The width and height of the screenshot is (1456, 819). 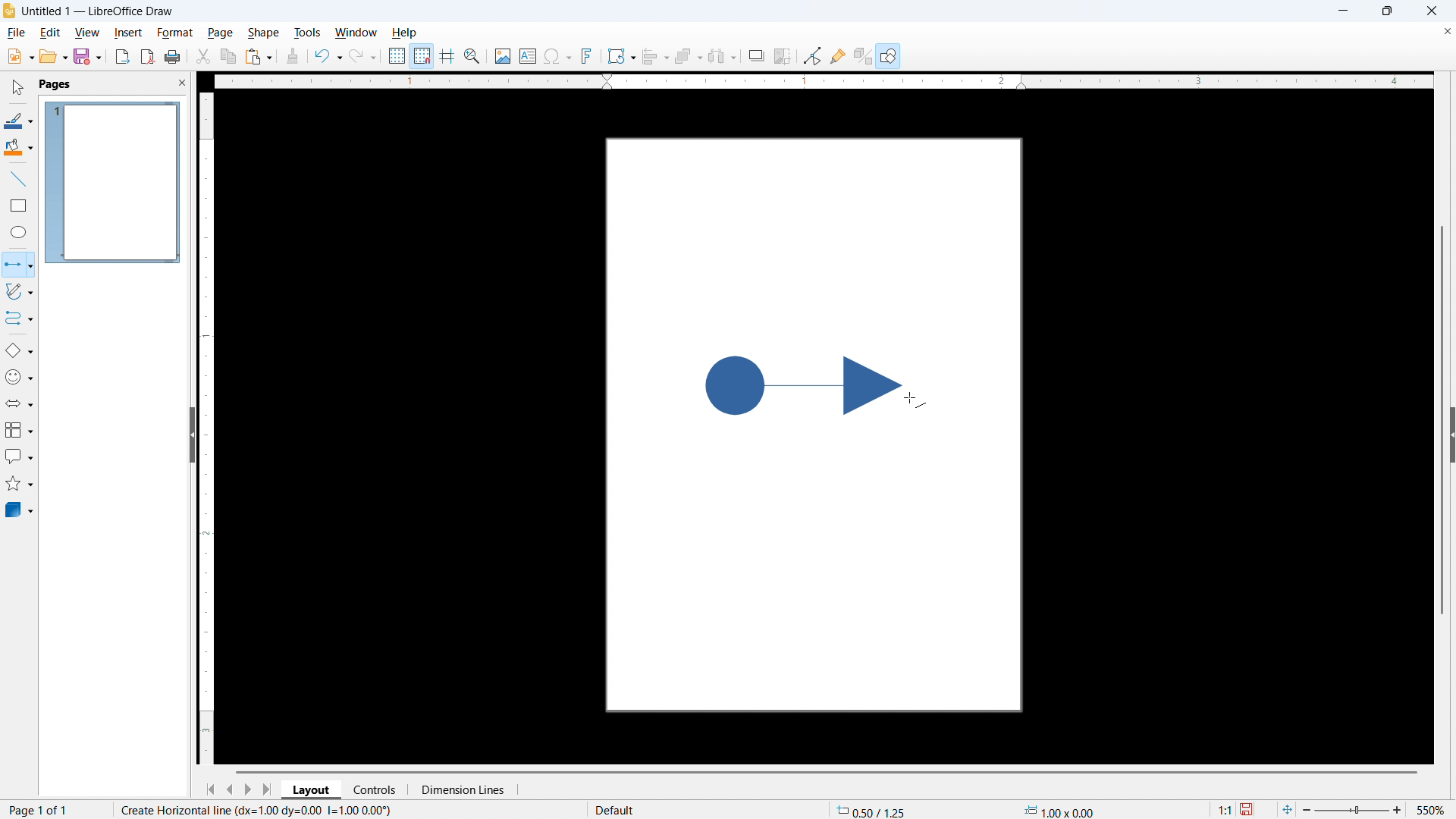 I want to click on save , so click(x=88, y=55).